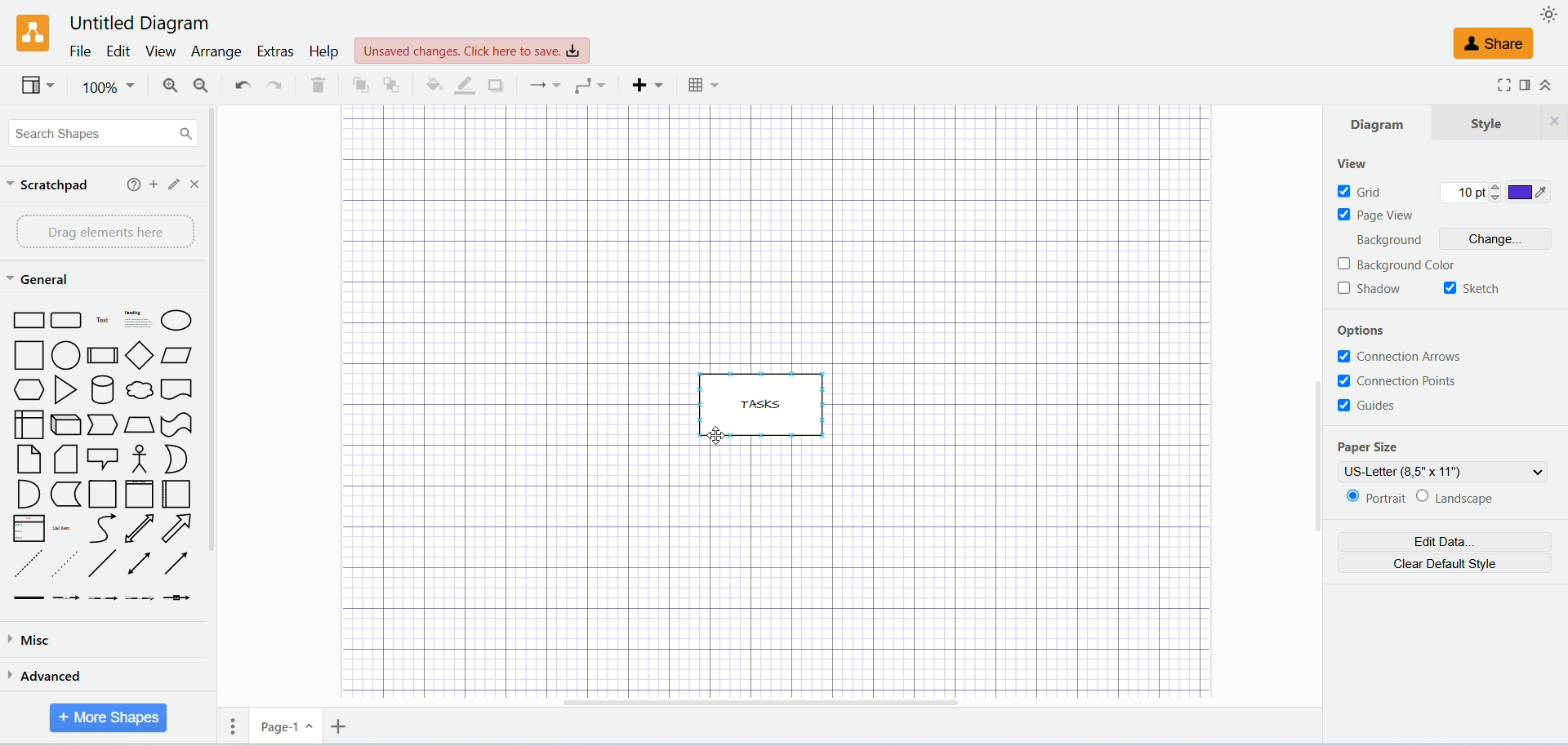 This screenshot has height=746, width=1568. Describe the element at coordinates (104, 565) in the screenshot. I see `Line` at that location.